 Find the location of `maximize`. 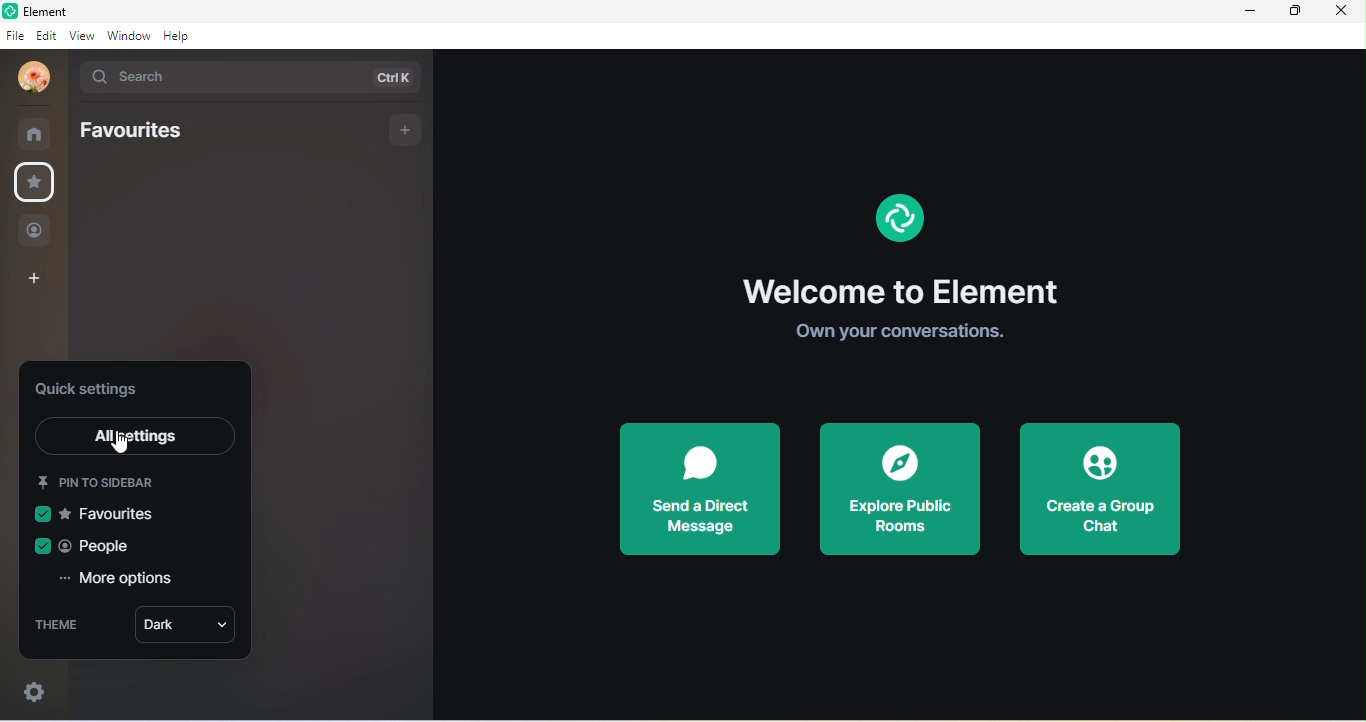

maximize is located at coordinates (1295, 14).